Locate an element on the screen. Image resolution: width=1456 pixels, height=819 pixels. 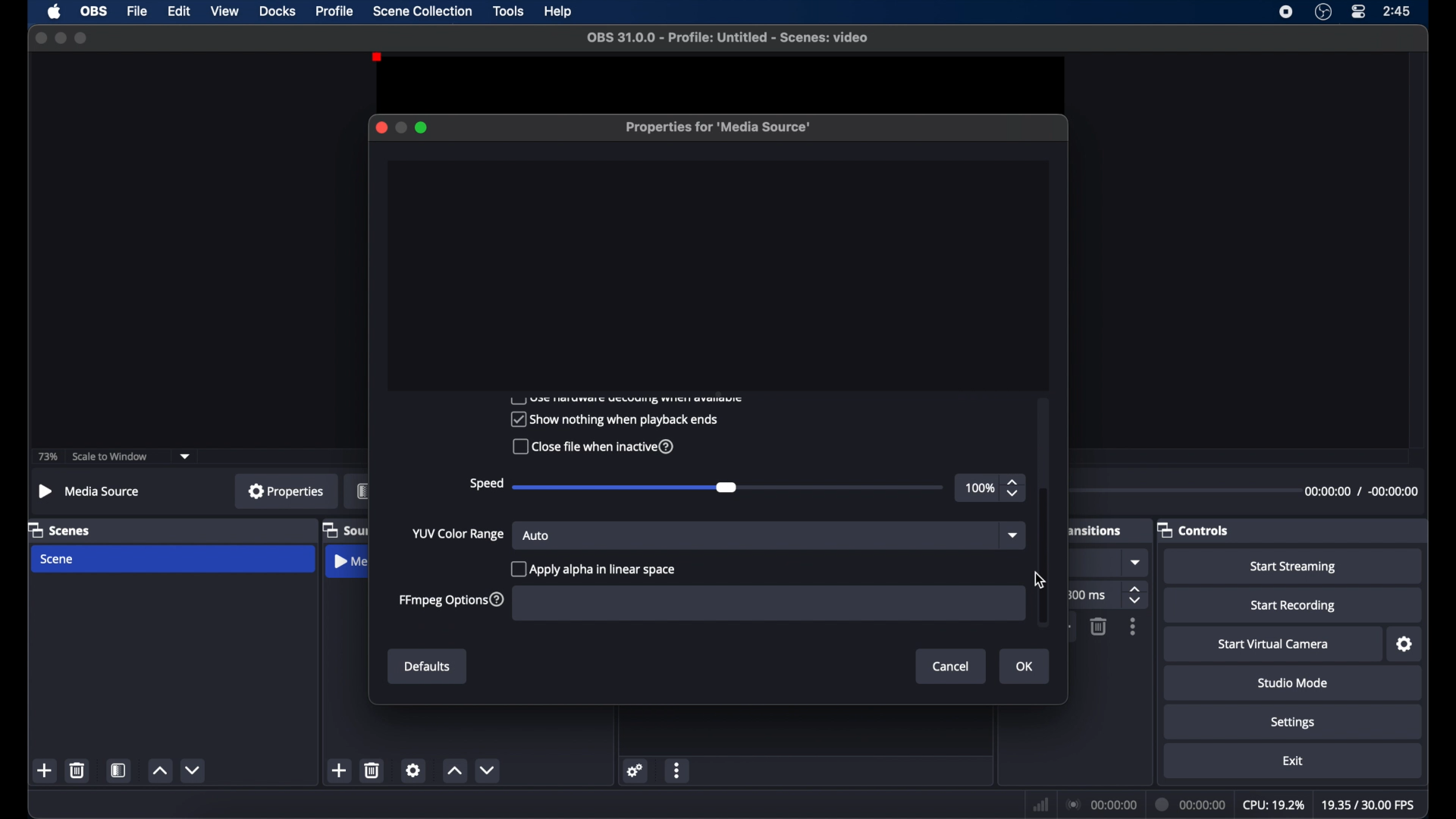
increment is located at coordinates (455, 772).